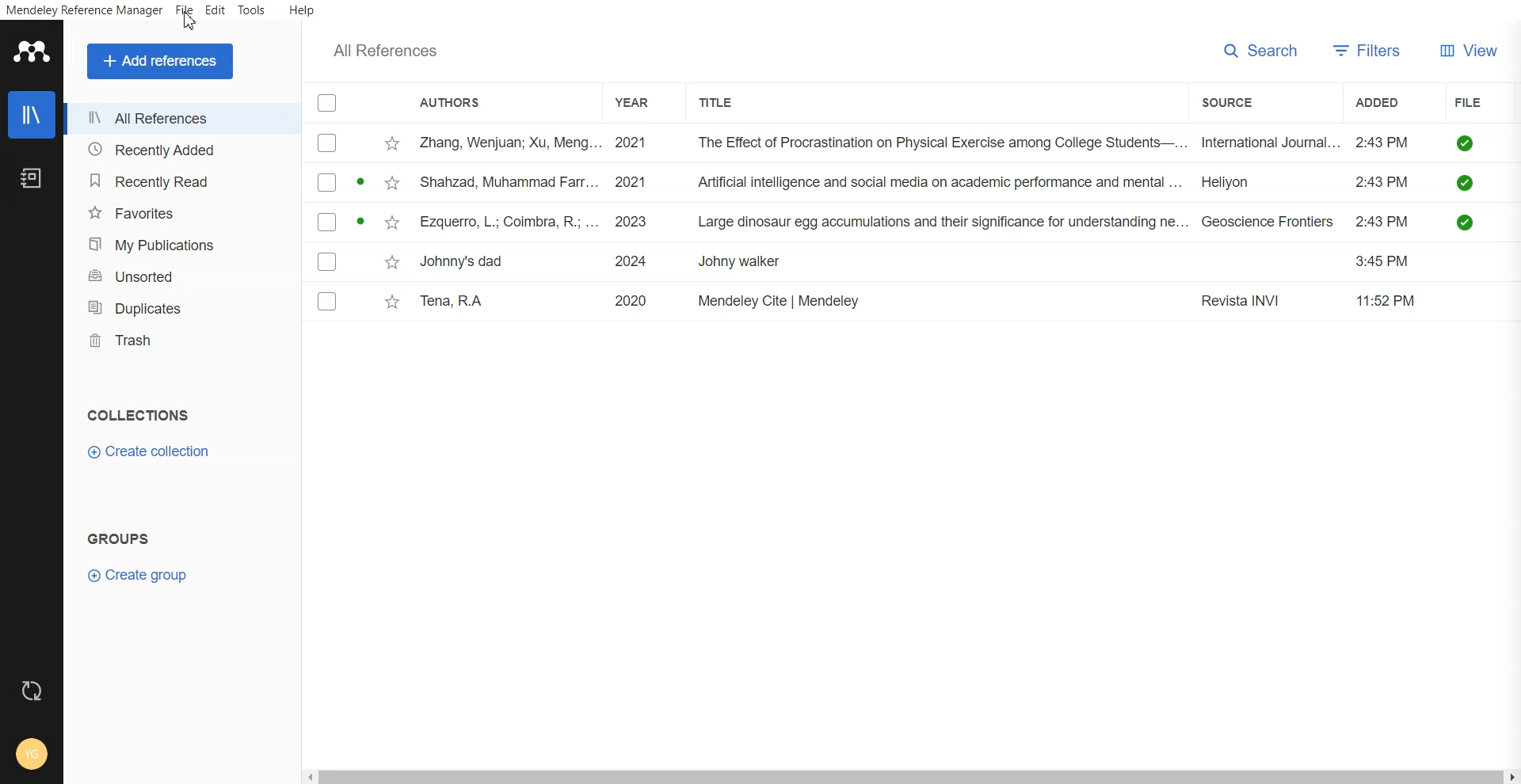  What do you see at coordinates (300, 11) in the screenshot?
I see `Help` at bounding box center [300, 11].